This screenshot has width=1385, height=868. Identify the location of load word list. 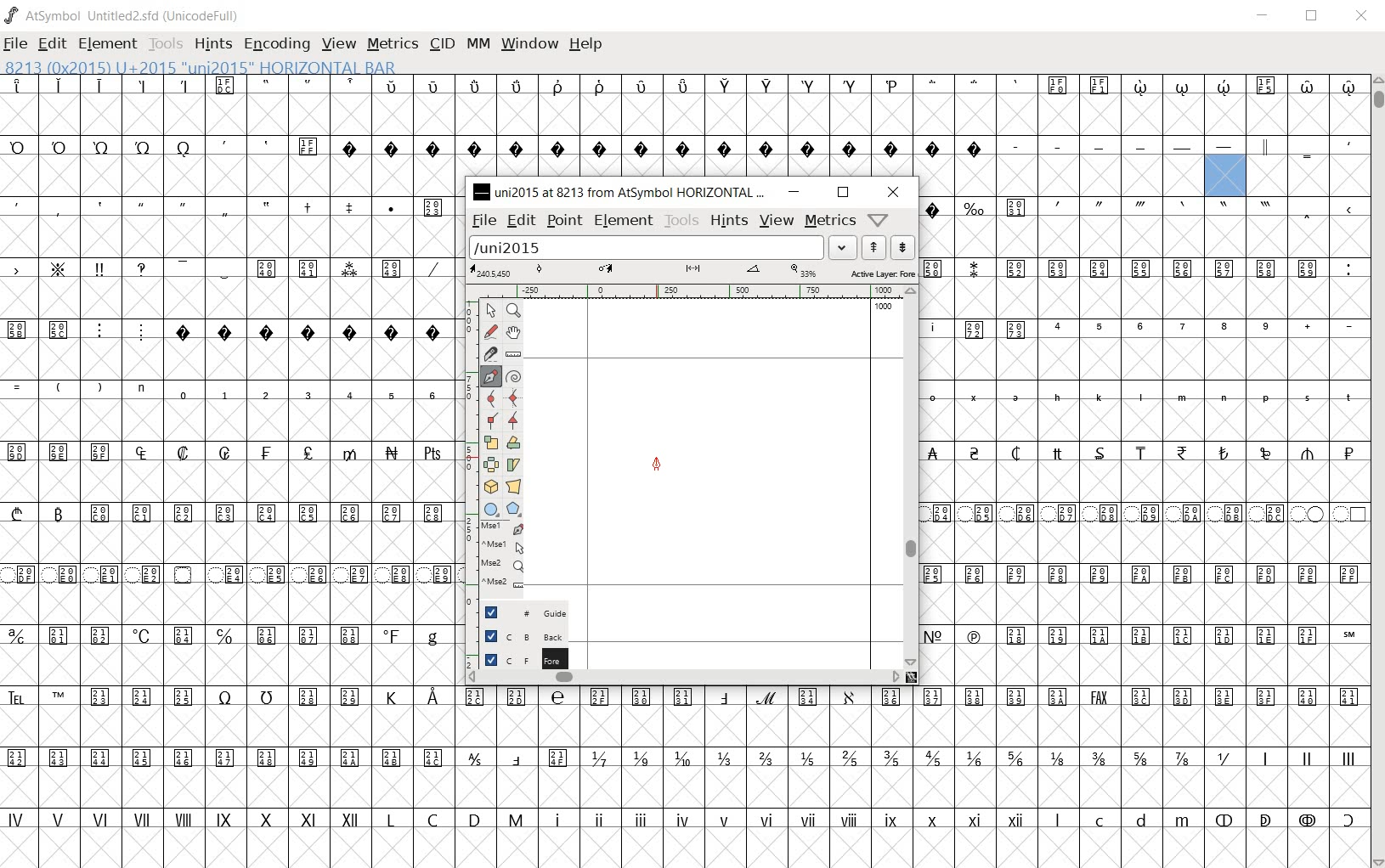
(661, 248).